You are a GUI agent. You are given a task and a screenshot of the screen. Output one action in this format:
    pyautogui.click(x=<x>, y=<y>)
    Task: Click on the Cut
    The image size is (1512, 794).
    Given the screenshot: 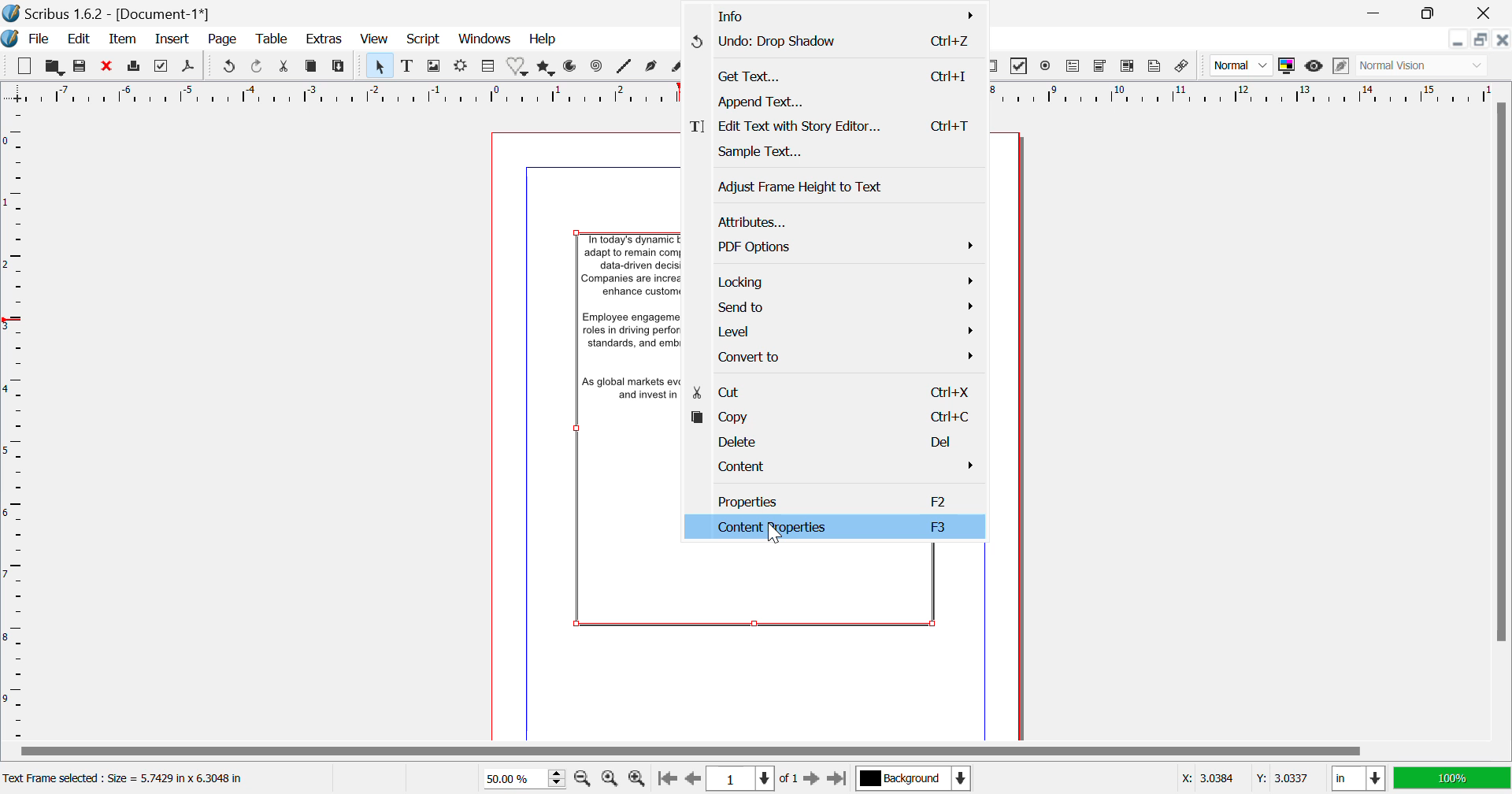 What is the action you would take?
    pyautogui.click(x=842, y=394)
    